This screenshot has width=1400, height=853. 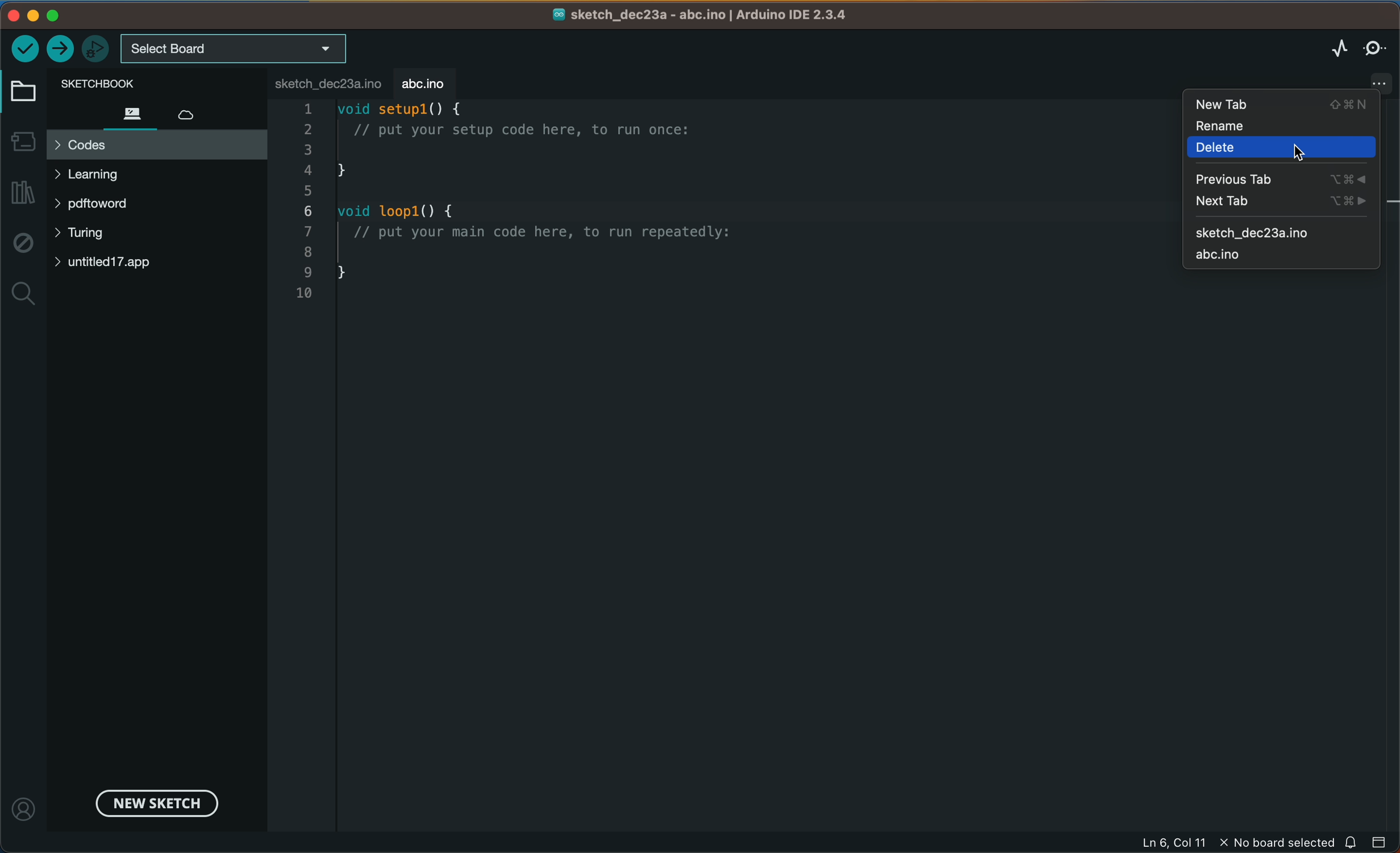 What do you see at coordinates (1377, 48) in the screenshot?
I see `serial monitor` at bounding box center [1377, 48].